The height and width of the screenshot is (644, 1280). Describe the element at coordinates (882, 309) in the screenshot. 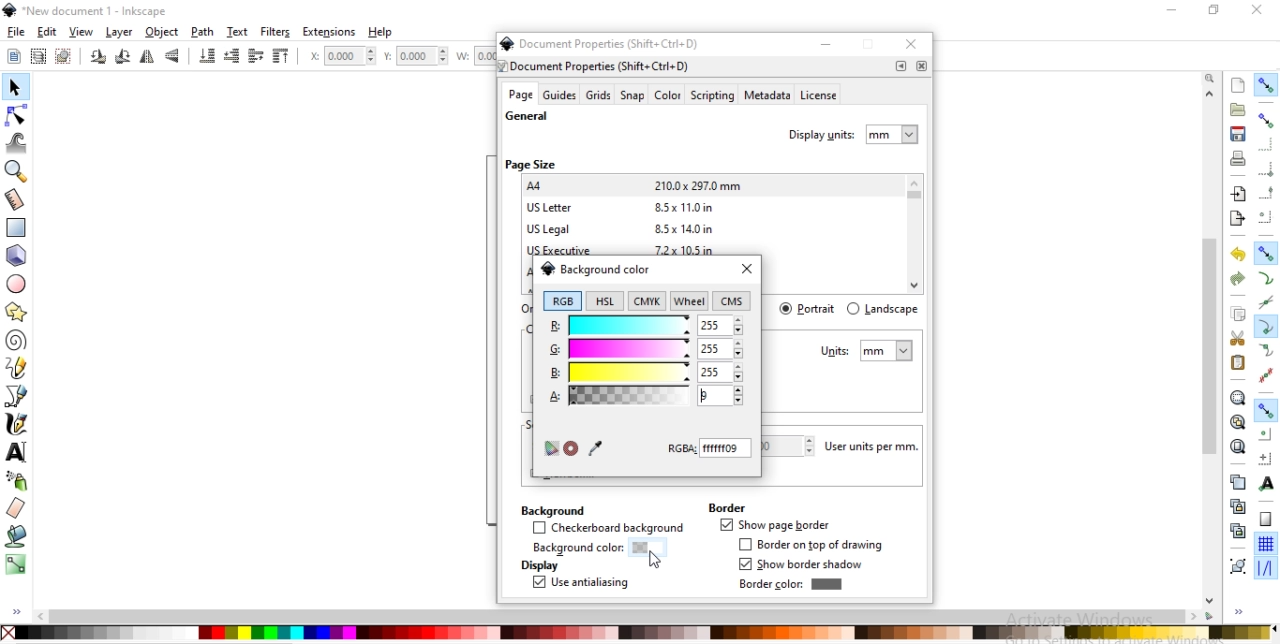

I see `landscape` at that location.